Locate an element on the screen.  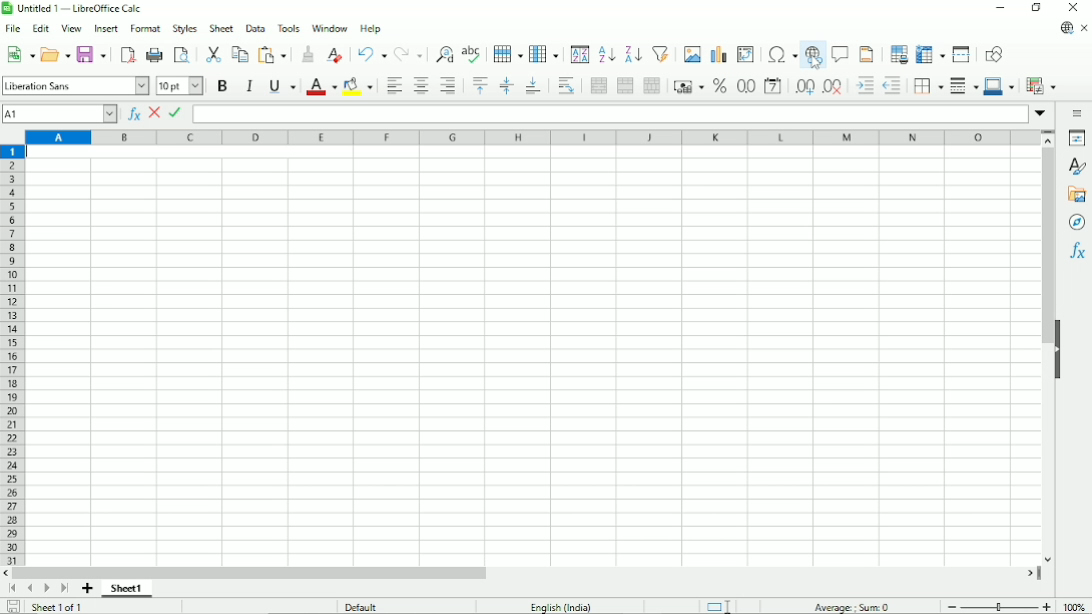
Conditional is located at coordinates (1041, 86).